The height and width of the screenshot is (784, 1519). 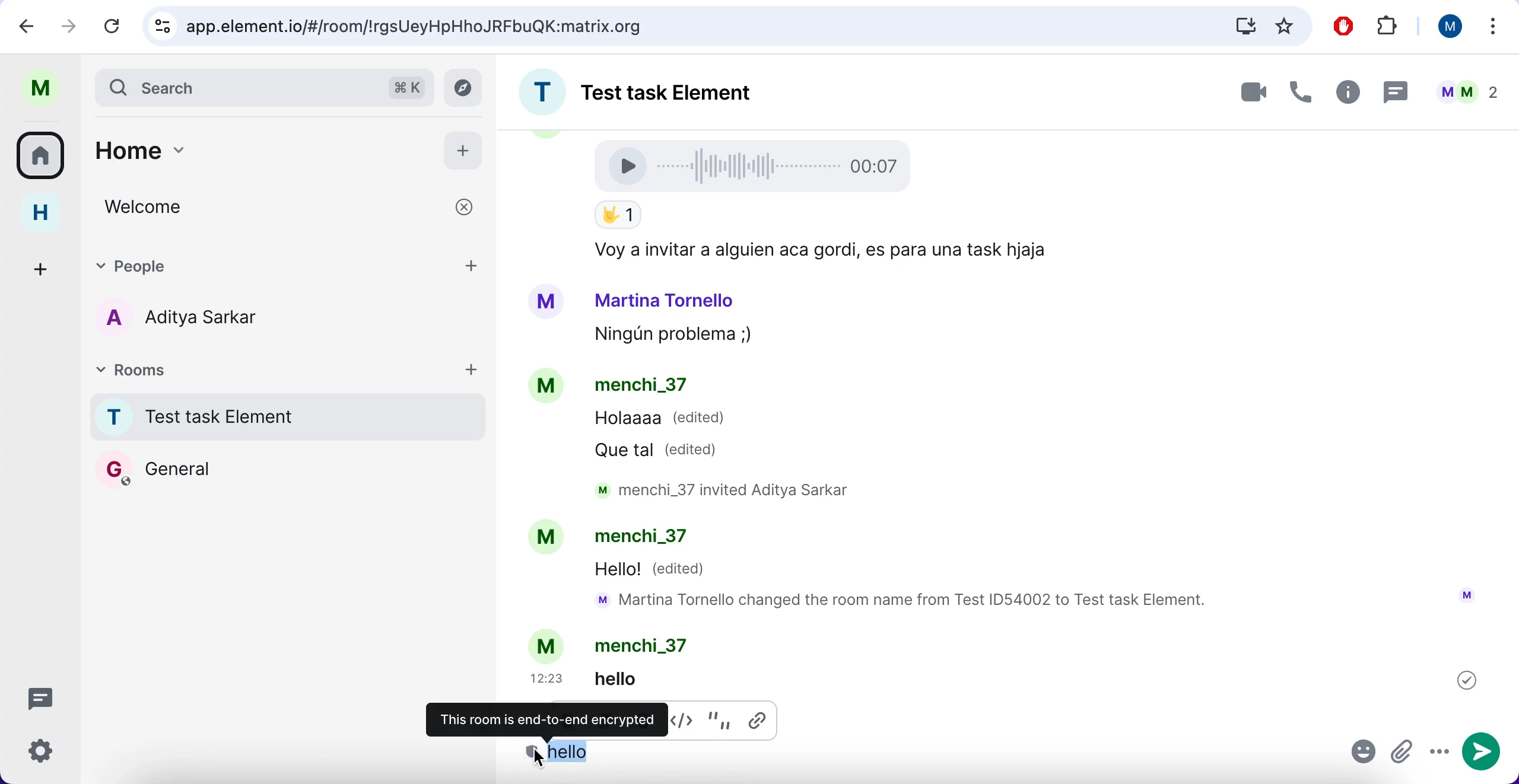 I want to click on explore rooms, so click(x=466, y=88).